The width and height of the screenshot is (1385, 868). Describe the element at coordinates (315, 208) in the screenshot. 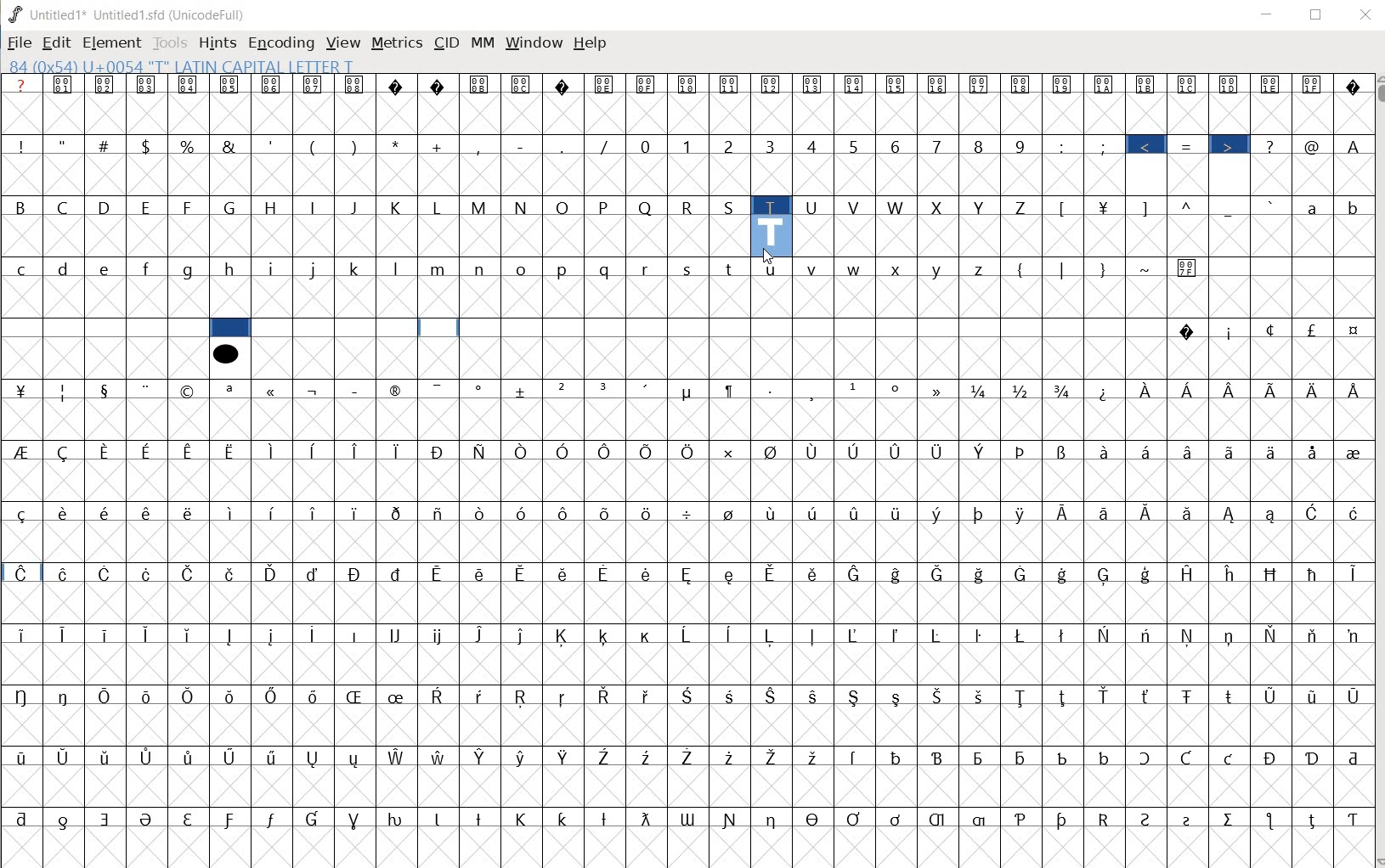

I see `I` at that location.